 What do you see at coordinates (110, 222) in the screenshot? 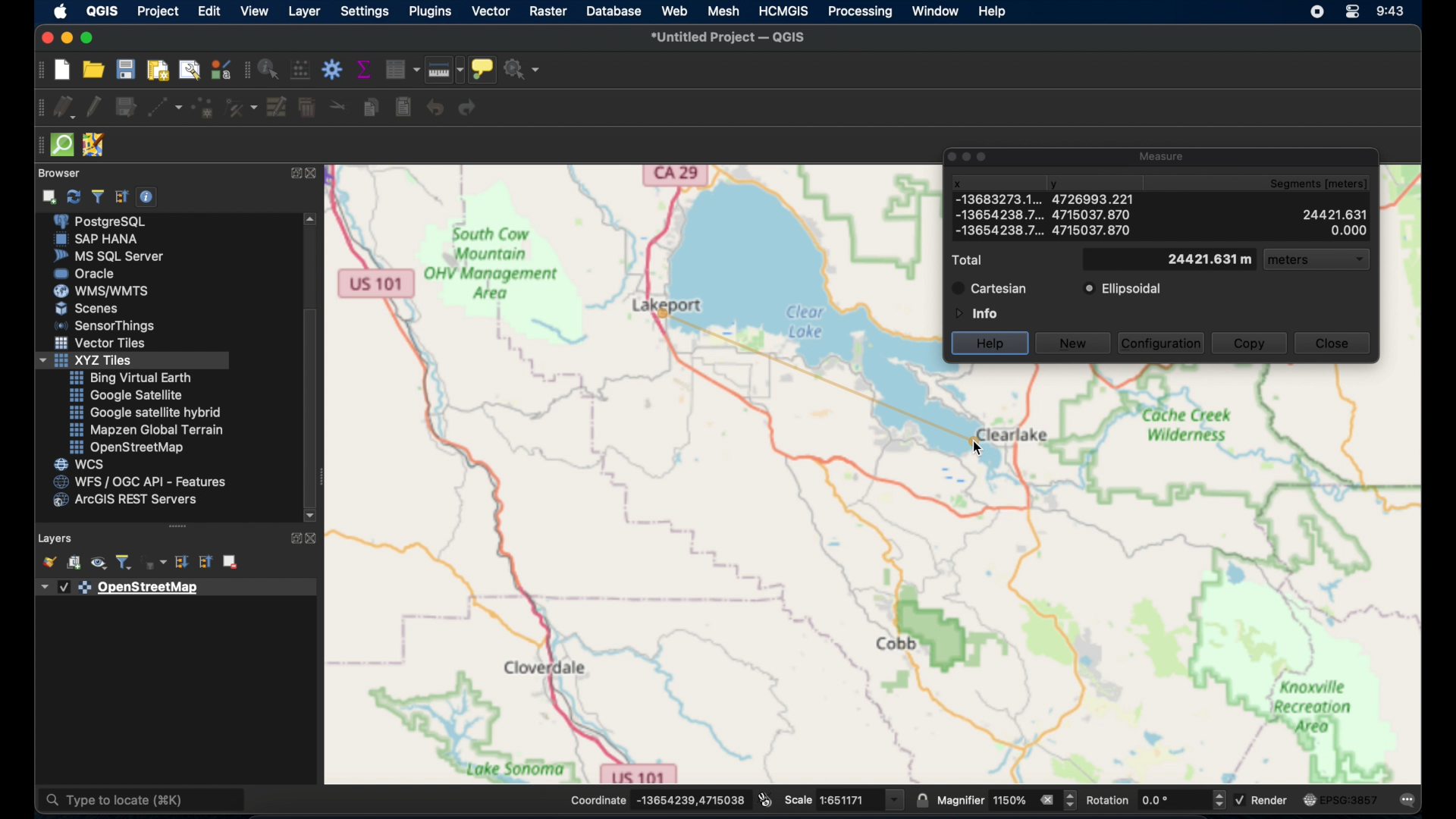
I see `postgre sql` at bounding box center [110, 222].